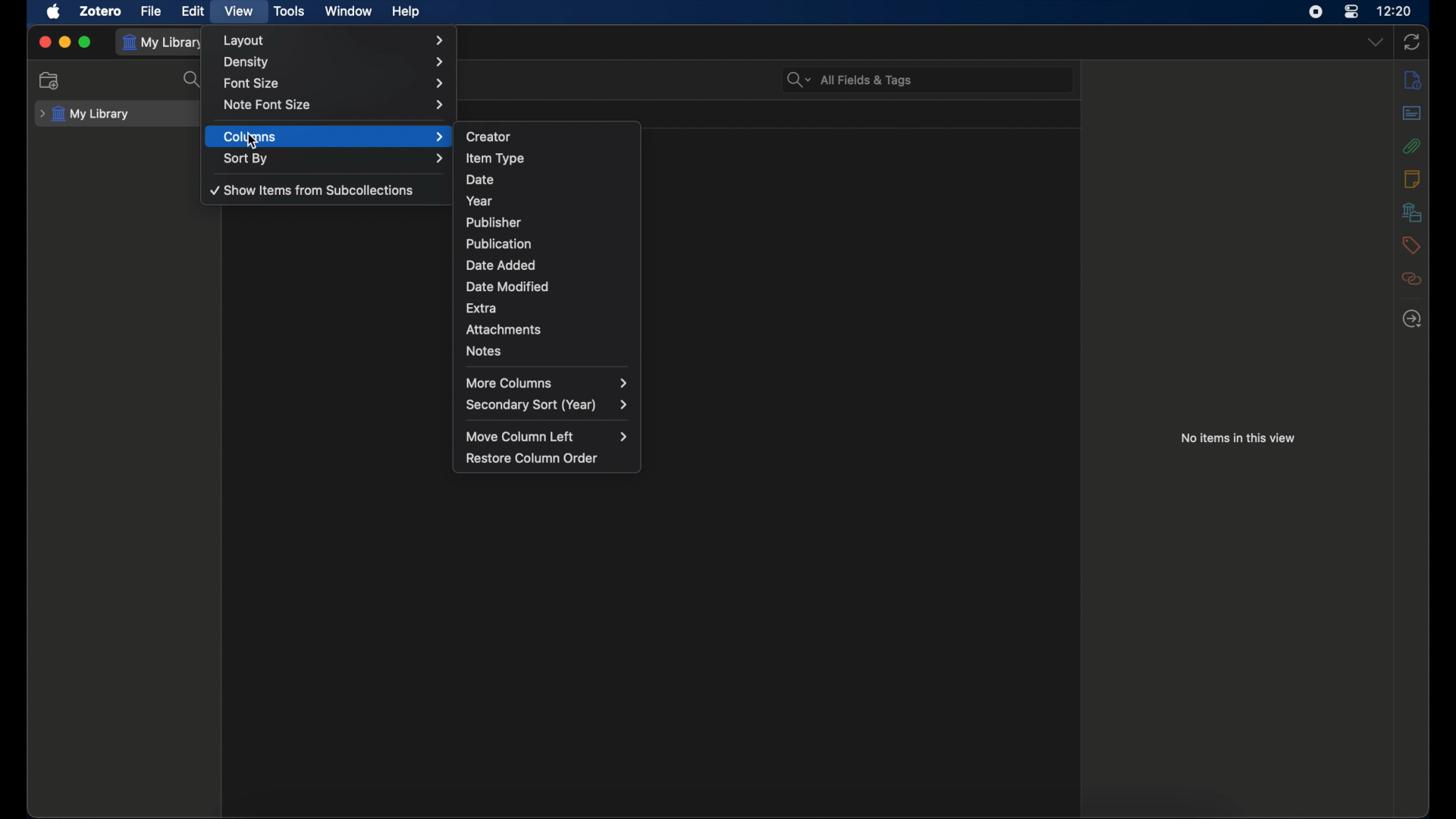  What do you see at coordinates (335, 62) in the screenshot?
I see `density` at bounding box center [335, 62].